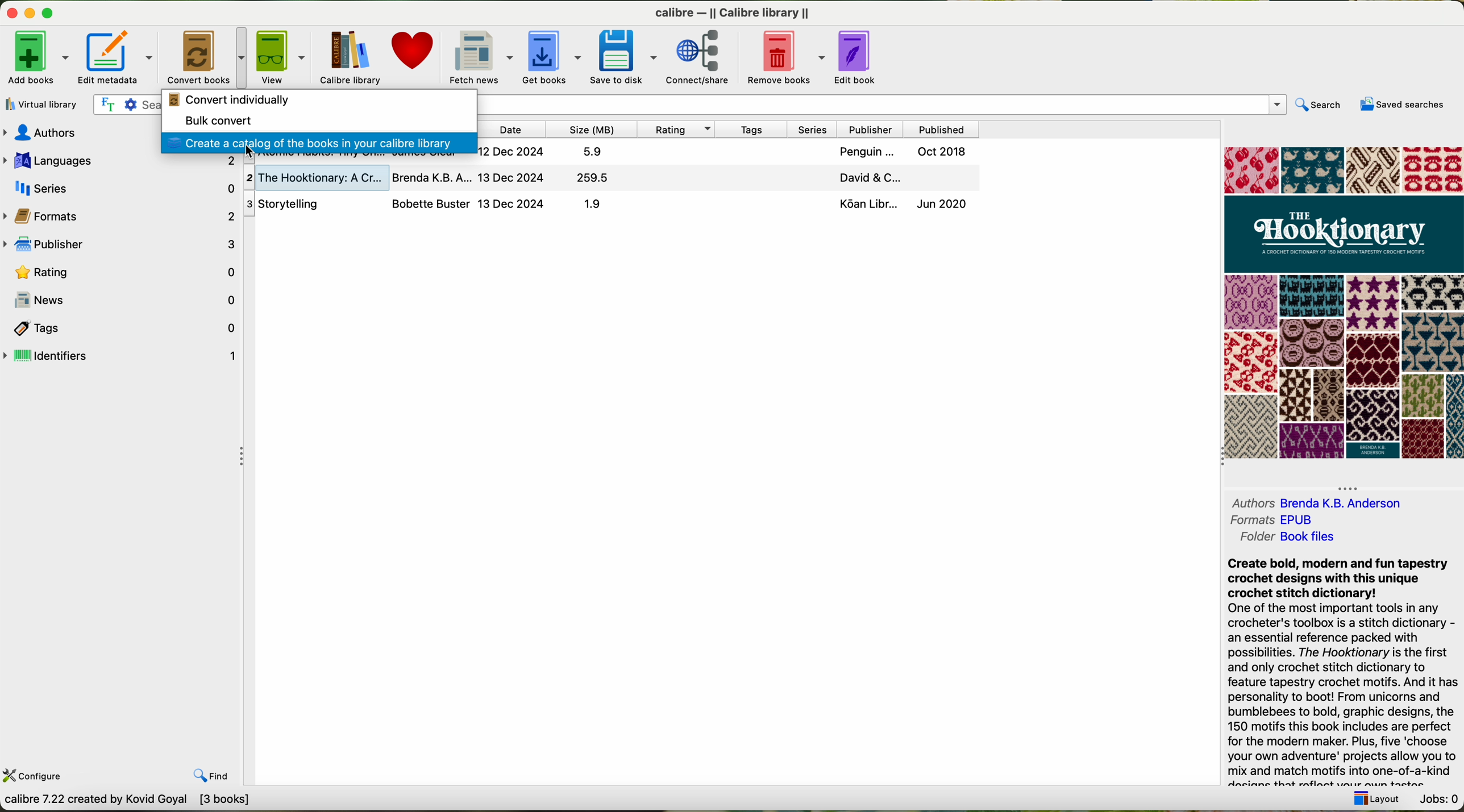 The width and height of the screenshot is (1464, 812). What do you see at coordinates (348, 58) in the screenshot?
I see `Calibre library` at bounding box center [348, 58].